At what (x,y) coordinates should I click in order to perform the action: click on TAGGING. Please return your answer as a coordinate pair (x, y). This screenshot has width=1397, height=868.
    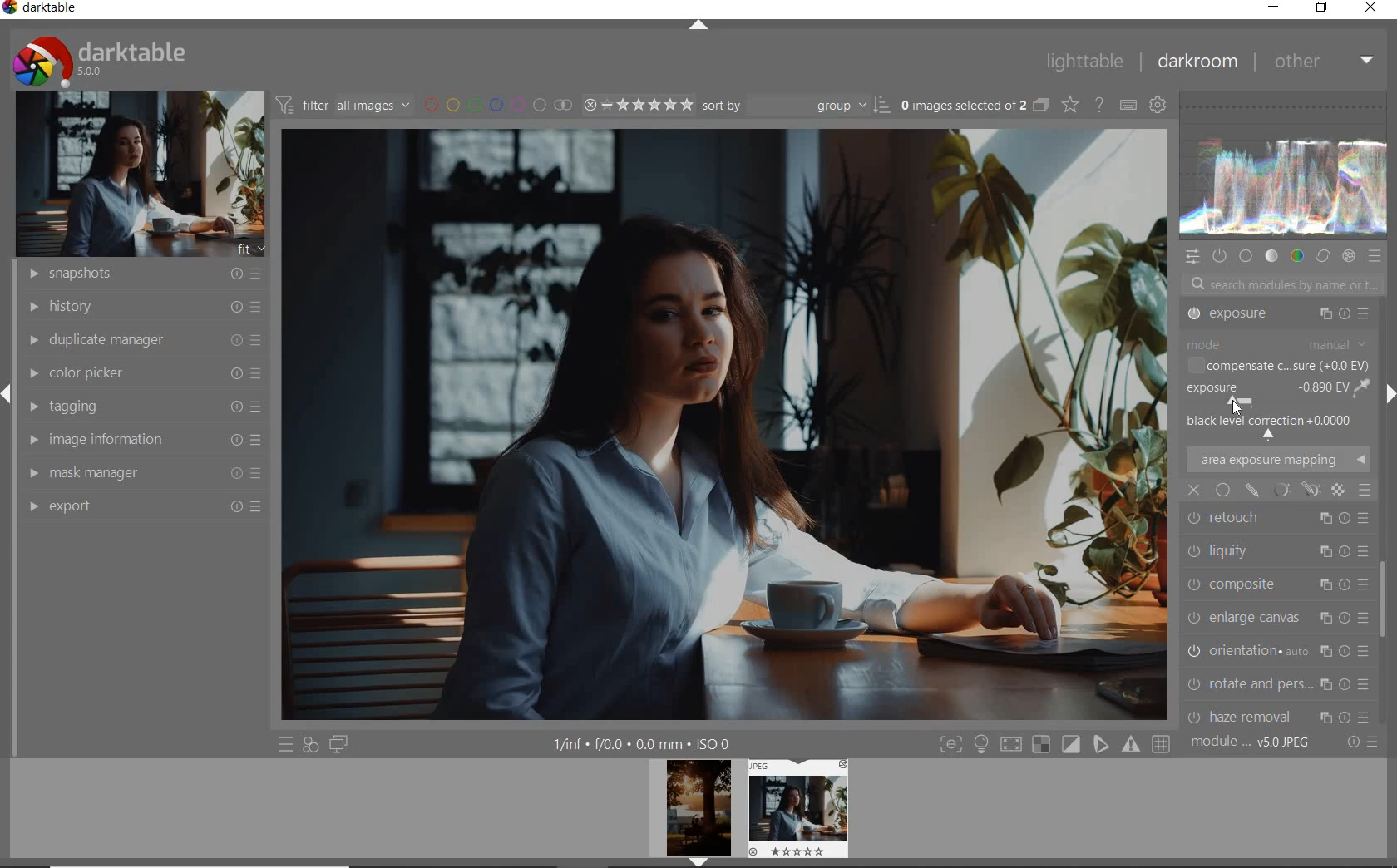
    Looking at the image, I should click on (141, 405).